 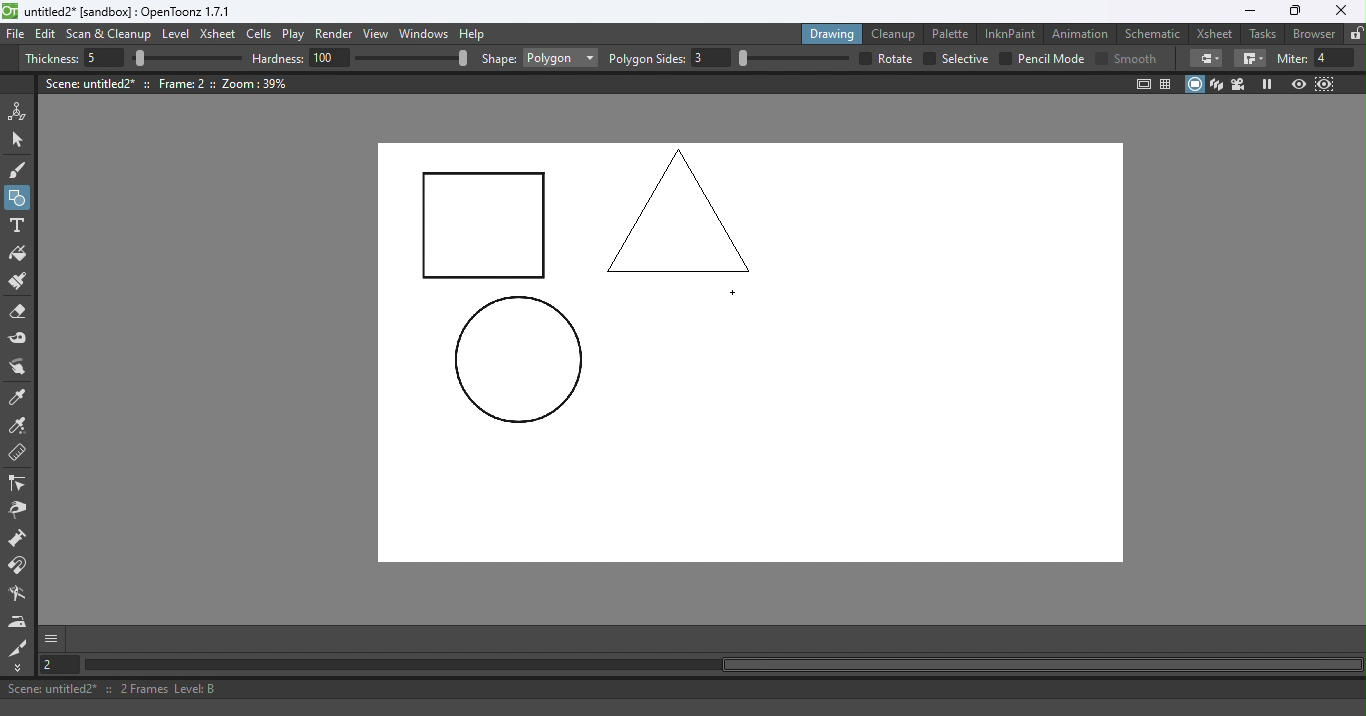 I want to click on Rectangle drawn, so click(x=485, y=227).